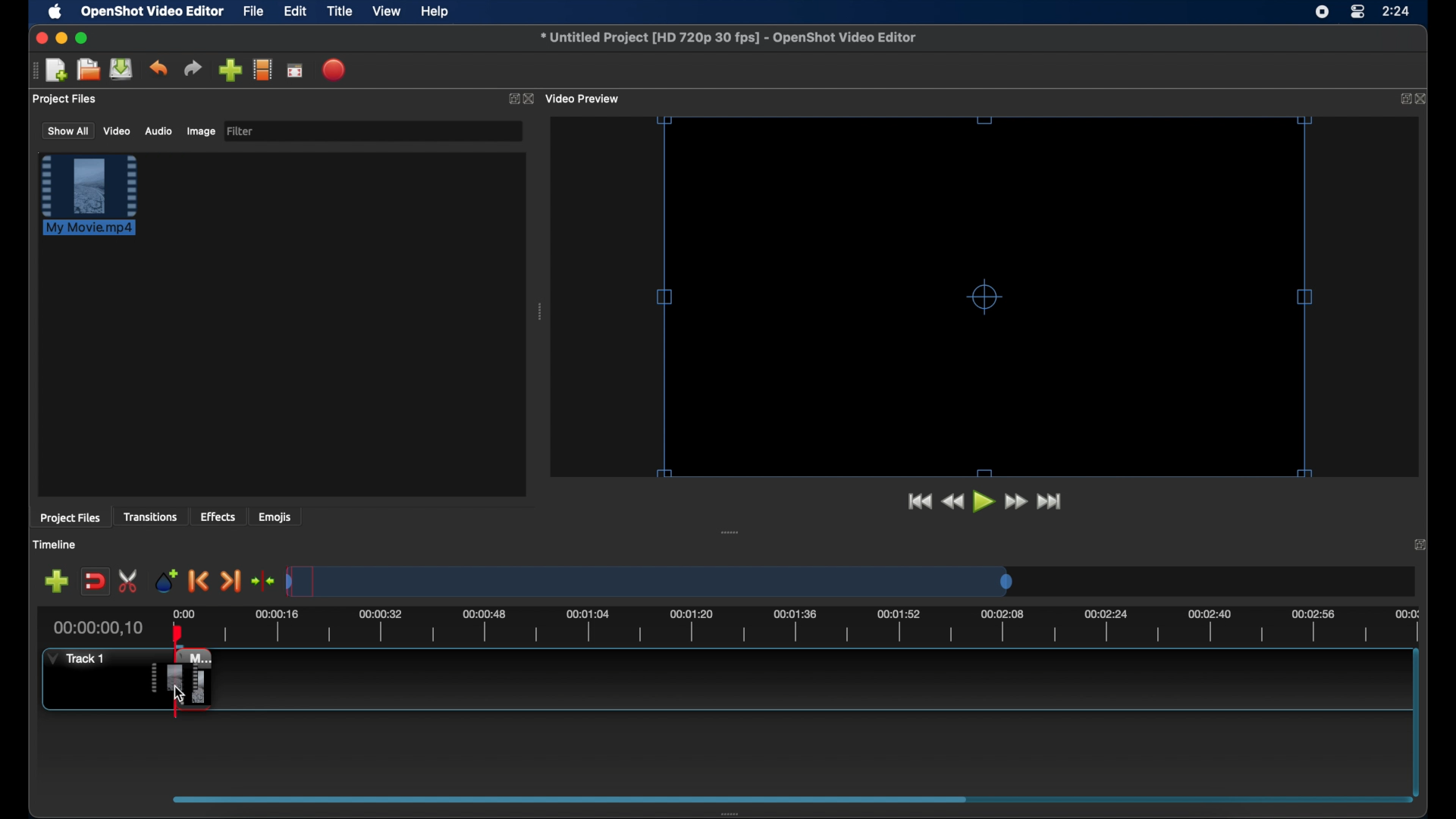  I want to click on jump to end, so click(1050, 500).